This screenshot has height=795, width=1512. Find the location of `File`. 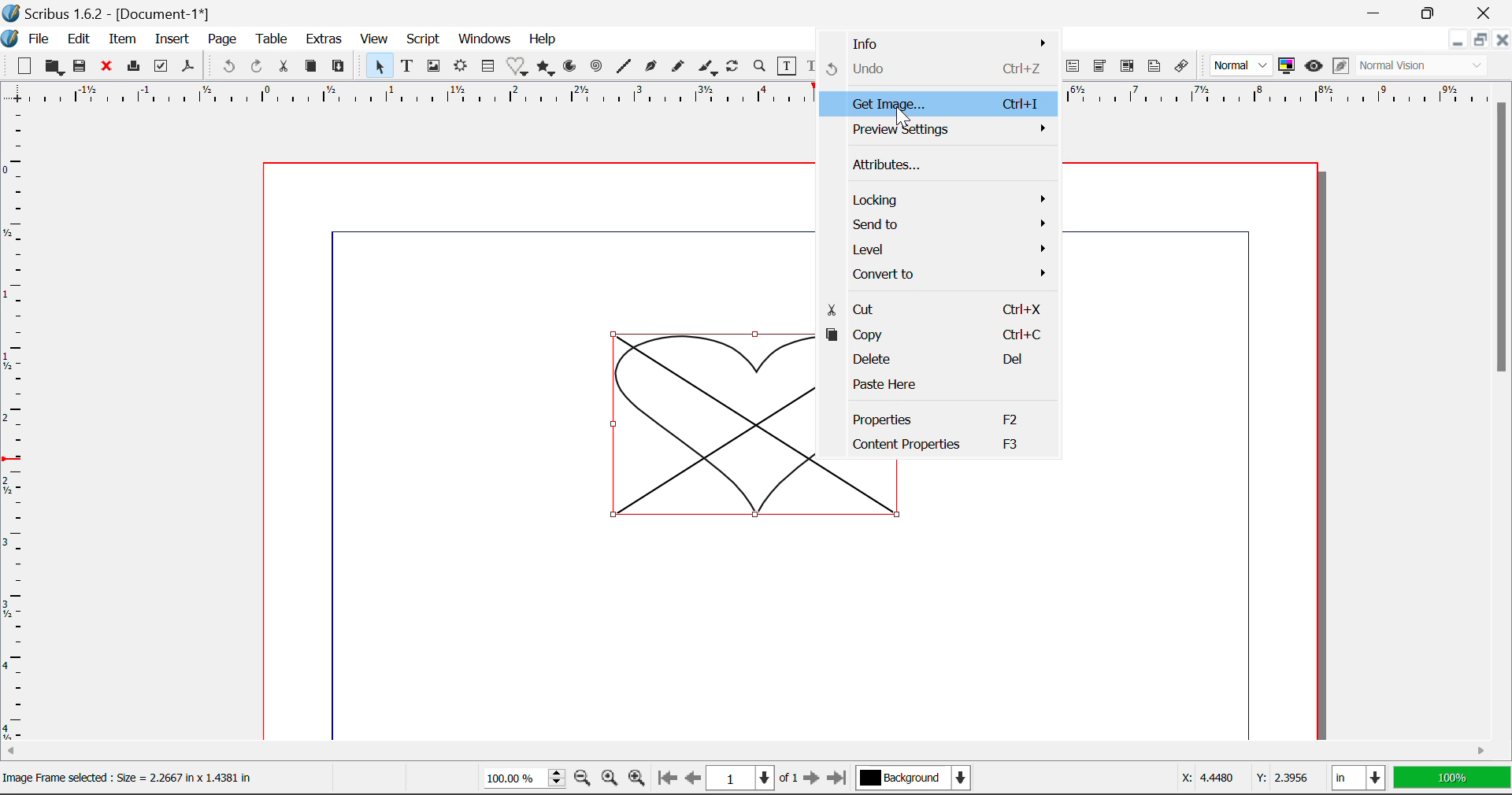

File is located at coordinates (39, 39).